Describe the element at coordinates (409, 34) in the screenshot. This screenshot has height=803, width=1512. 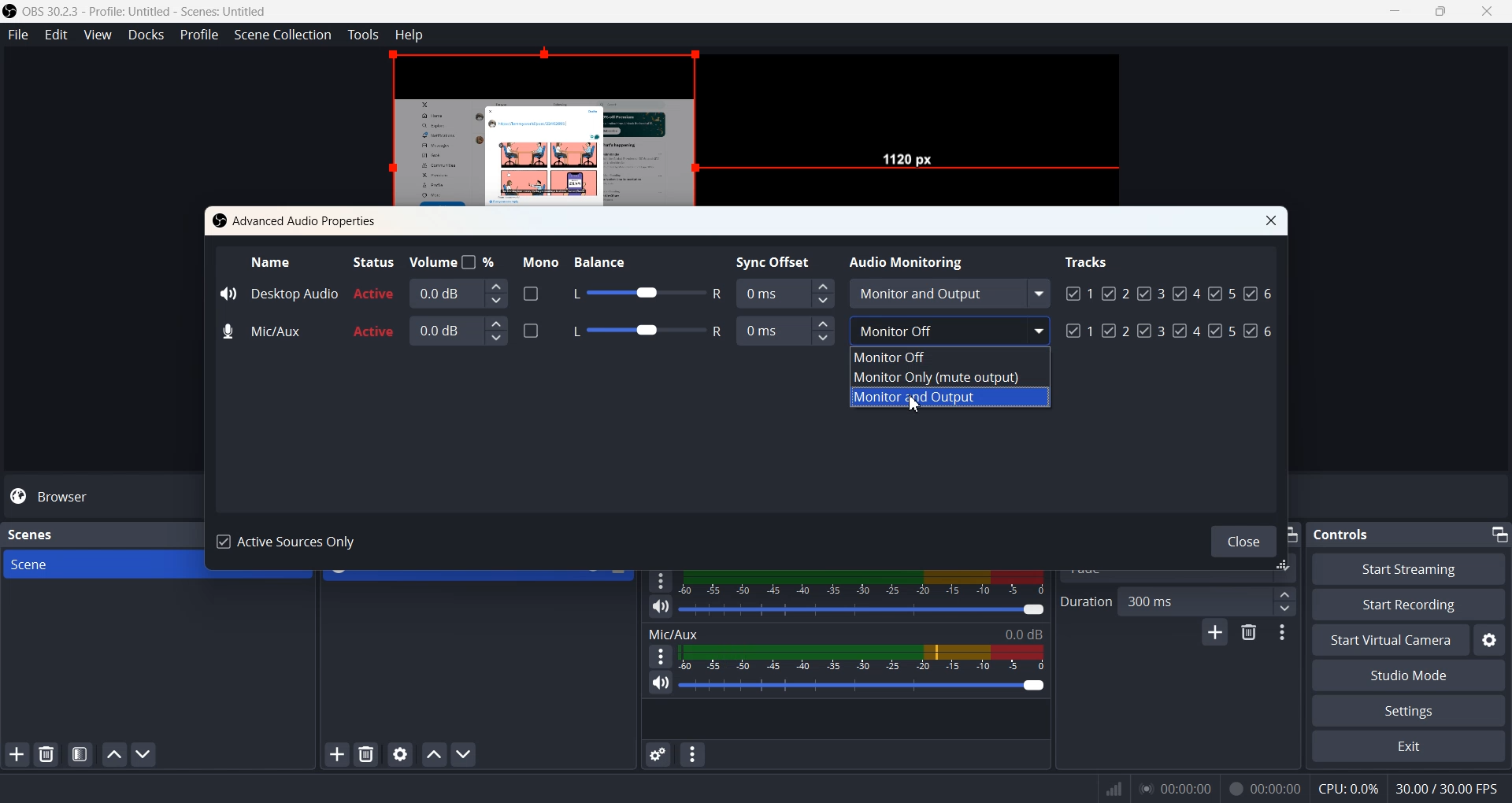
I see `Help` at that location.